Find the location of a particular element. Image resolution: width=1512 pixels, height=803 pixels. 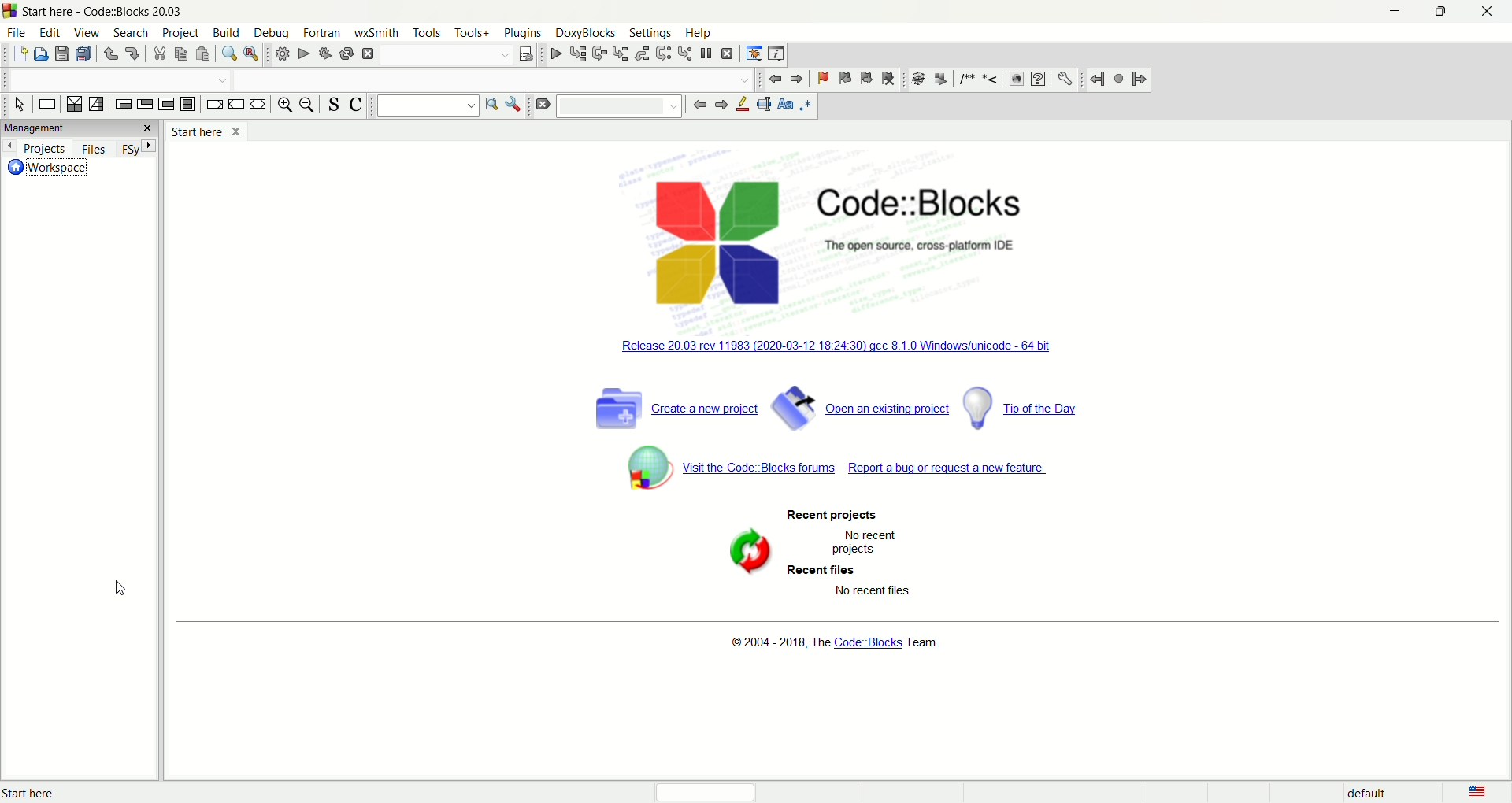

Code::block is located at coordinates (925, 215).